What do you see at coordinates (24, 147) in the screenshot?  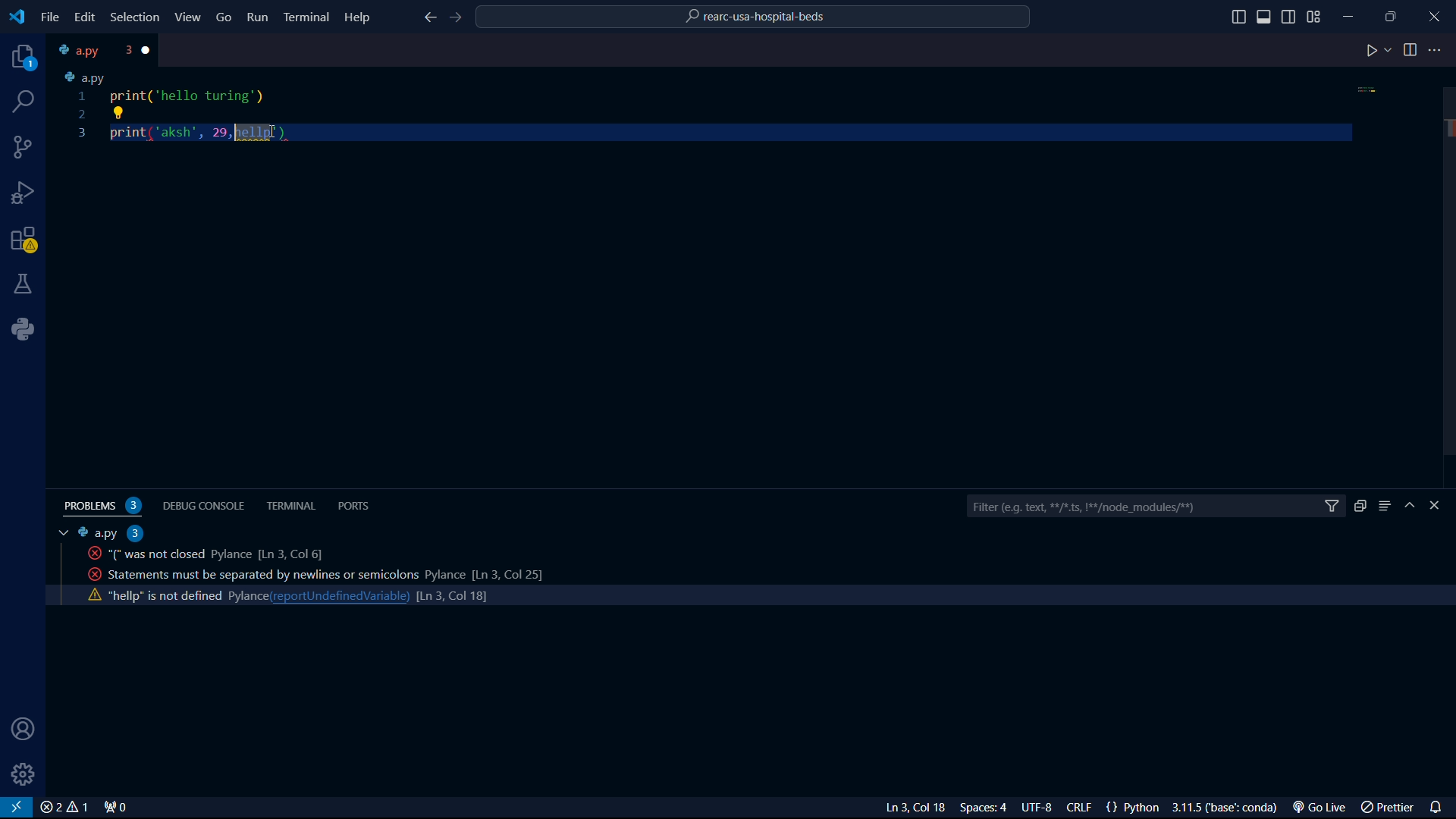 I see `connections` at bounding box center [24, 147].